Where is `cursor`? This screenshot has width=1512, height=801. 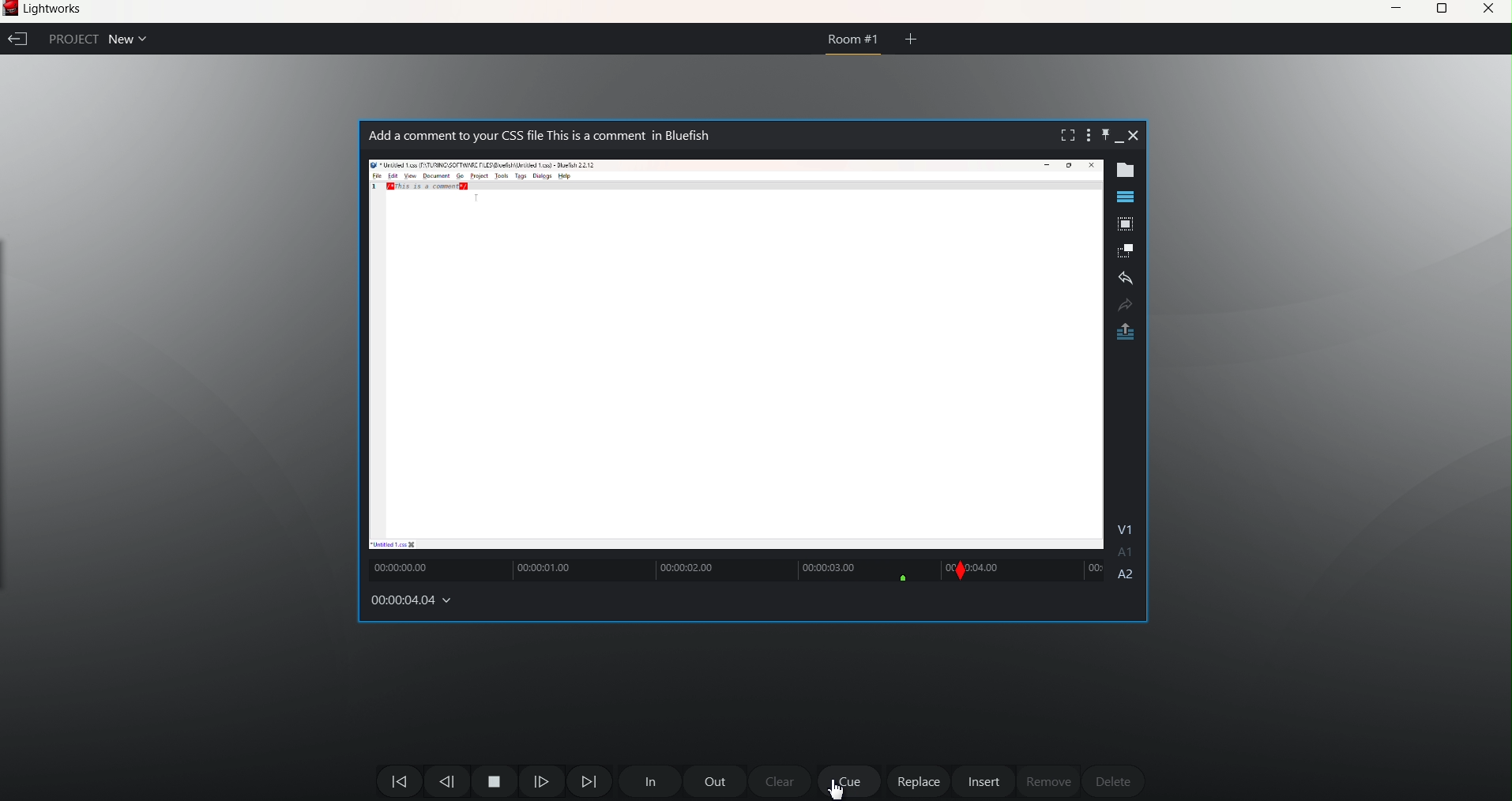
cursor is located at coordinates (839, 788).